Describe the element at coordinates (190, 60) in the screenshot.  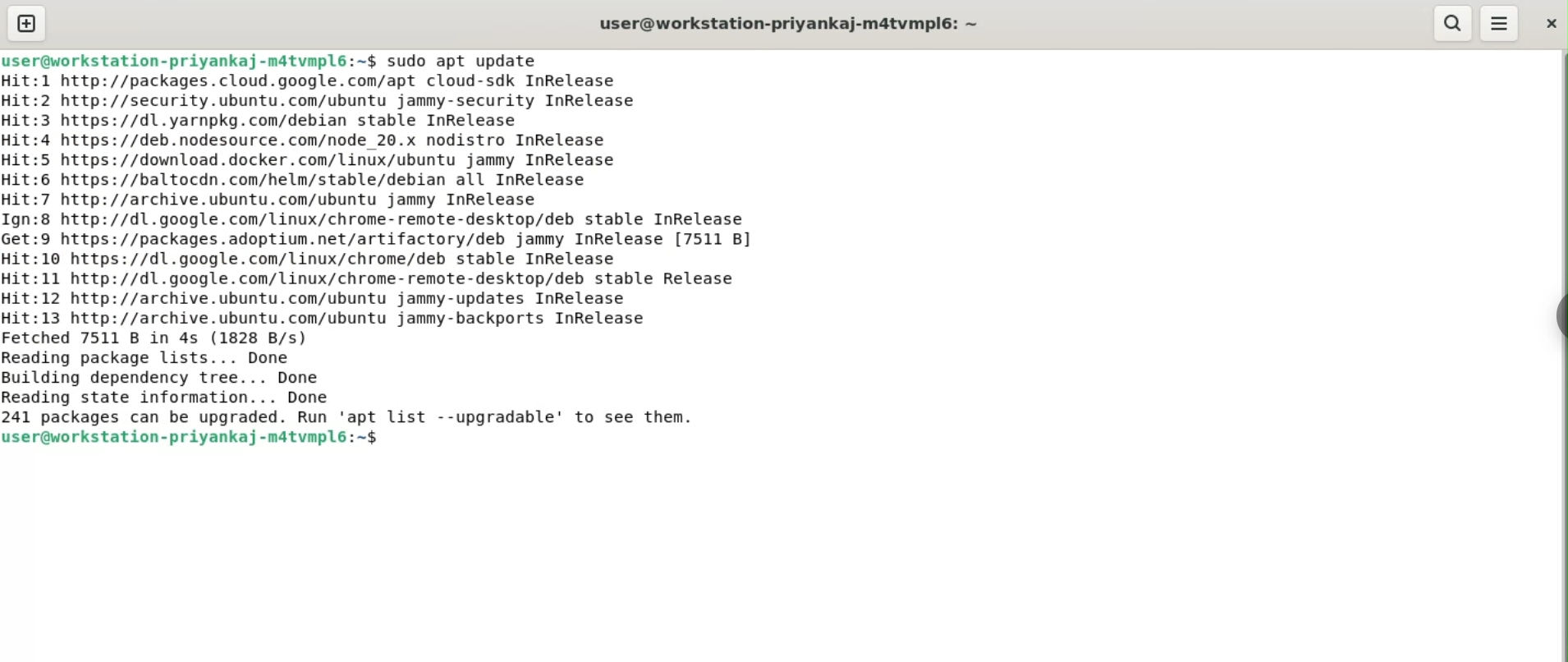
I see `user@workstation-priyankaj-m4tvmpl6:-$` at that location.